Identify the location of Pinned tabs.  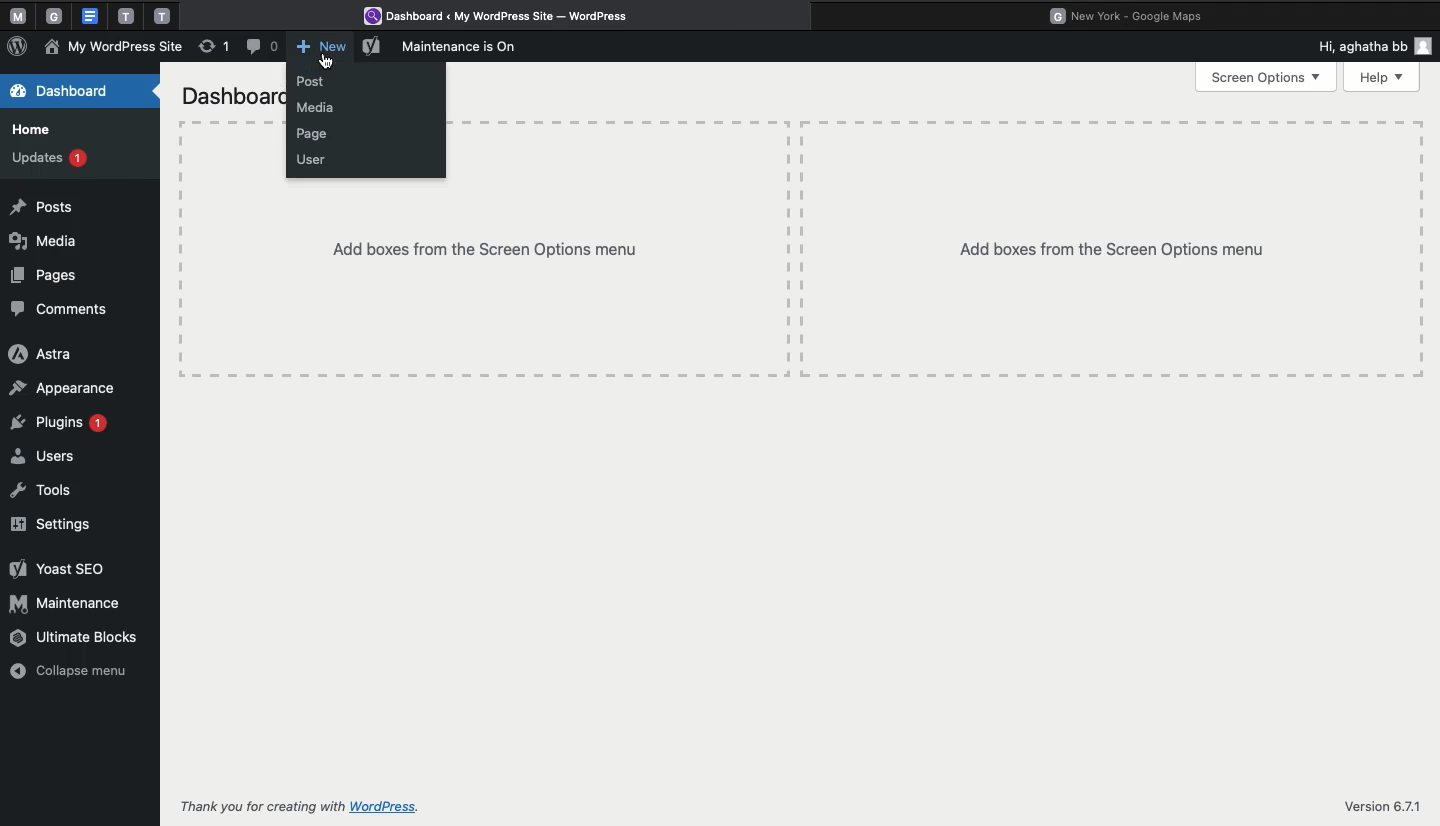
(15, 17).